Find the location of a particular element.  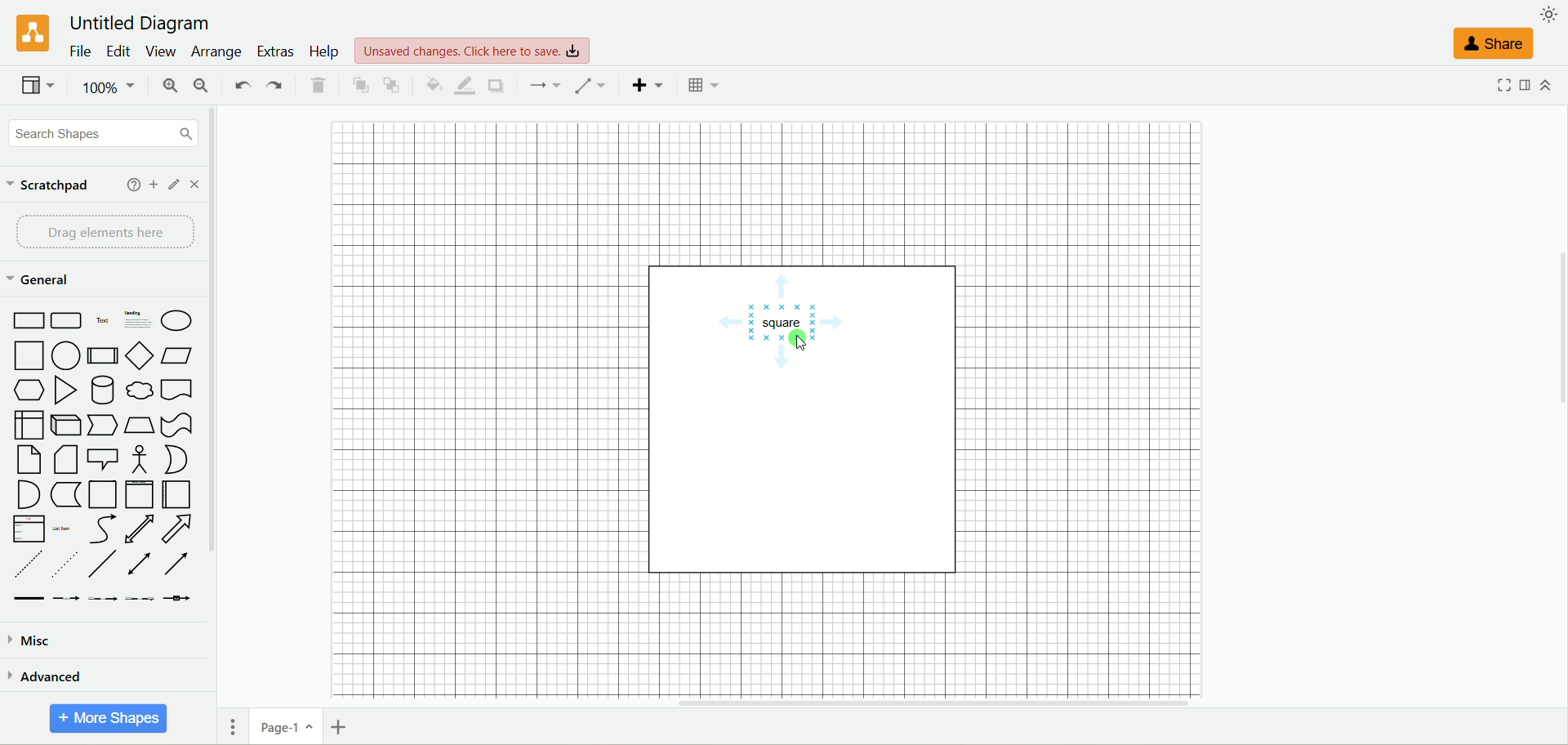

vertical scroll bar is located at coordinates (222, 399).